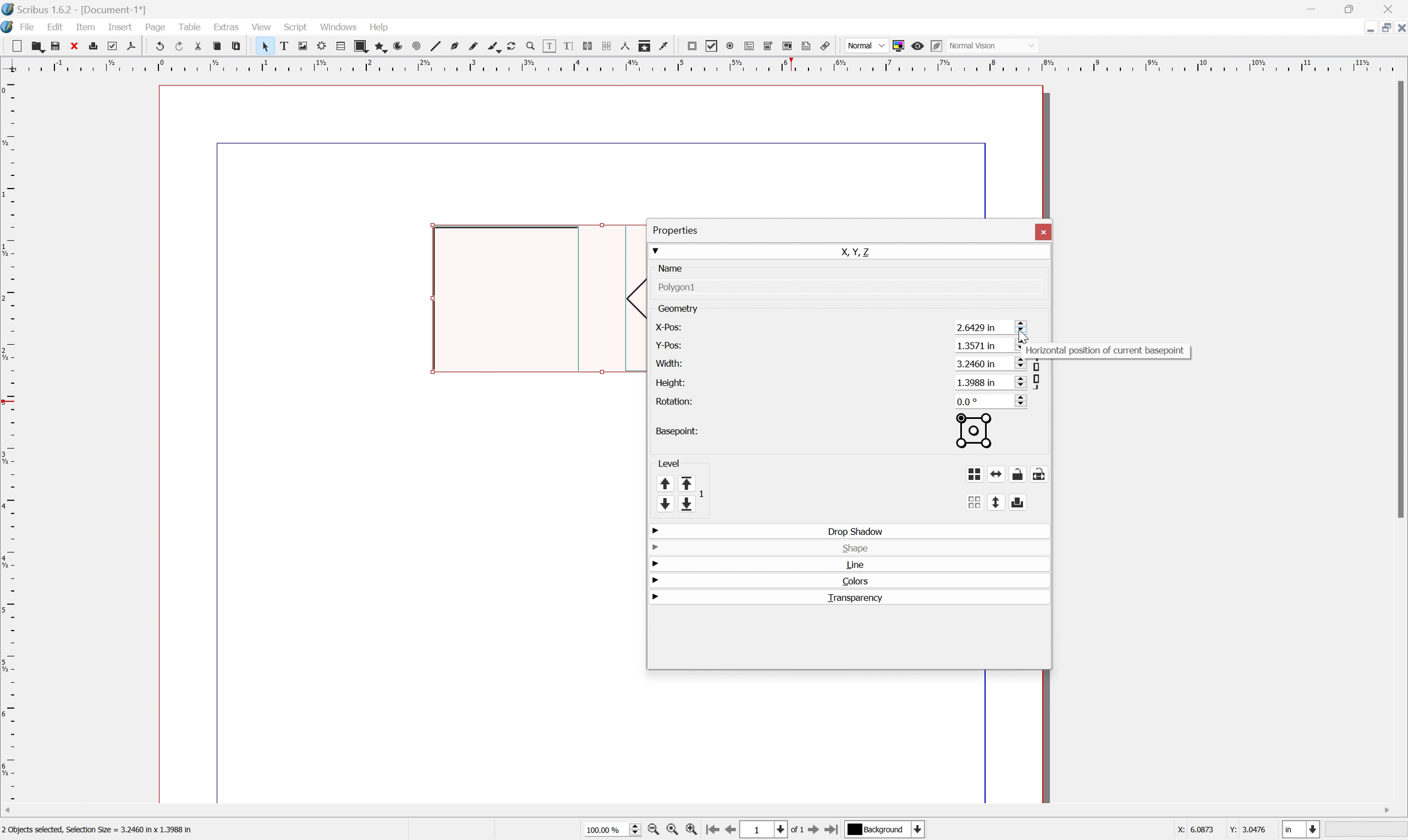 This screenshot has height=840, width=1408. What do you see at coordinates (855, 530) in the screenshot?
I see `drop shadow` at bounding box center [855, 530].